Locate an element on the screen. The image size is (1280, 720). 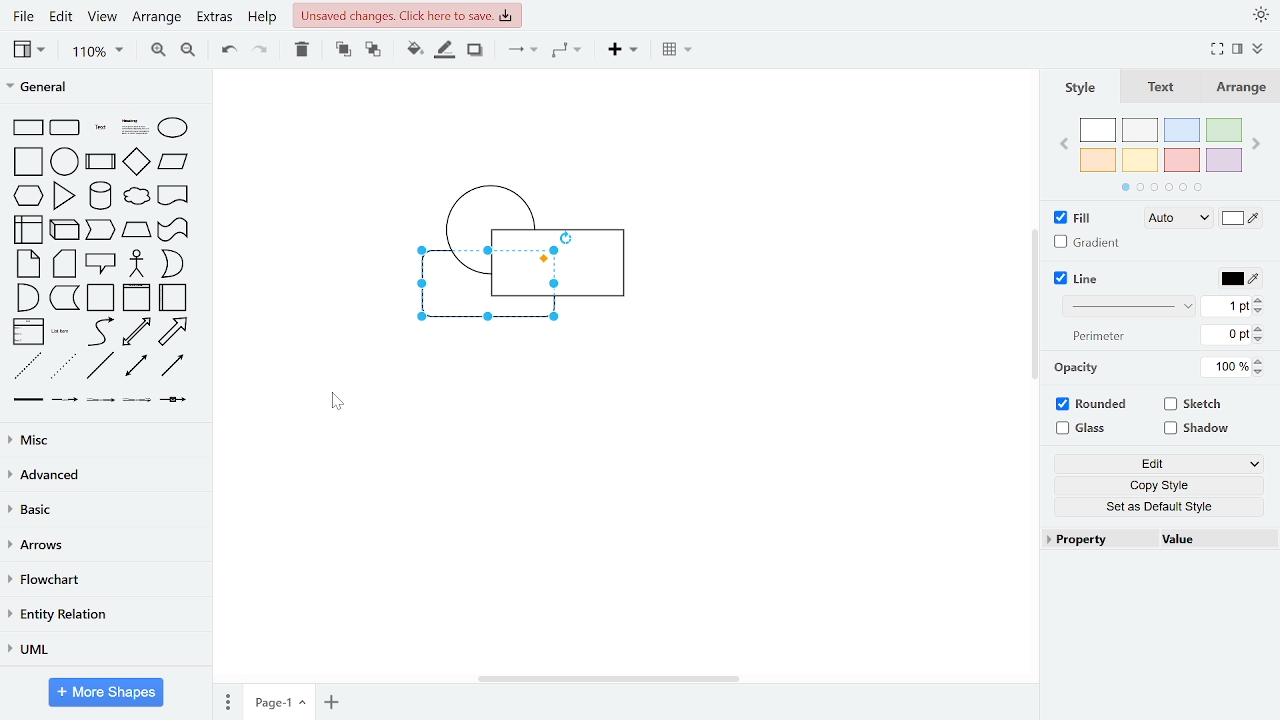
shadow is located at coordinates (478, 53).